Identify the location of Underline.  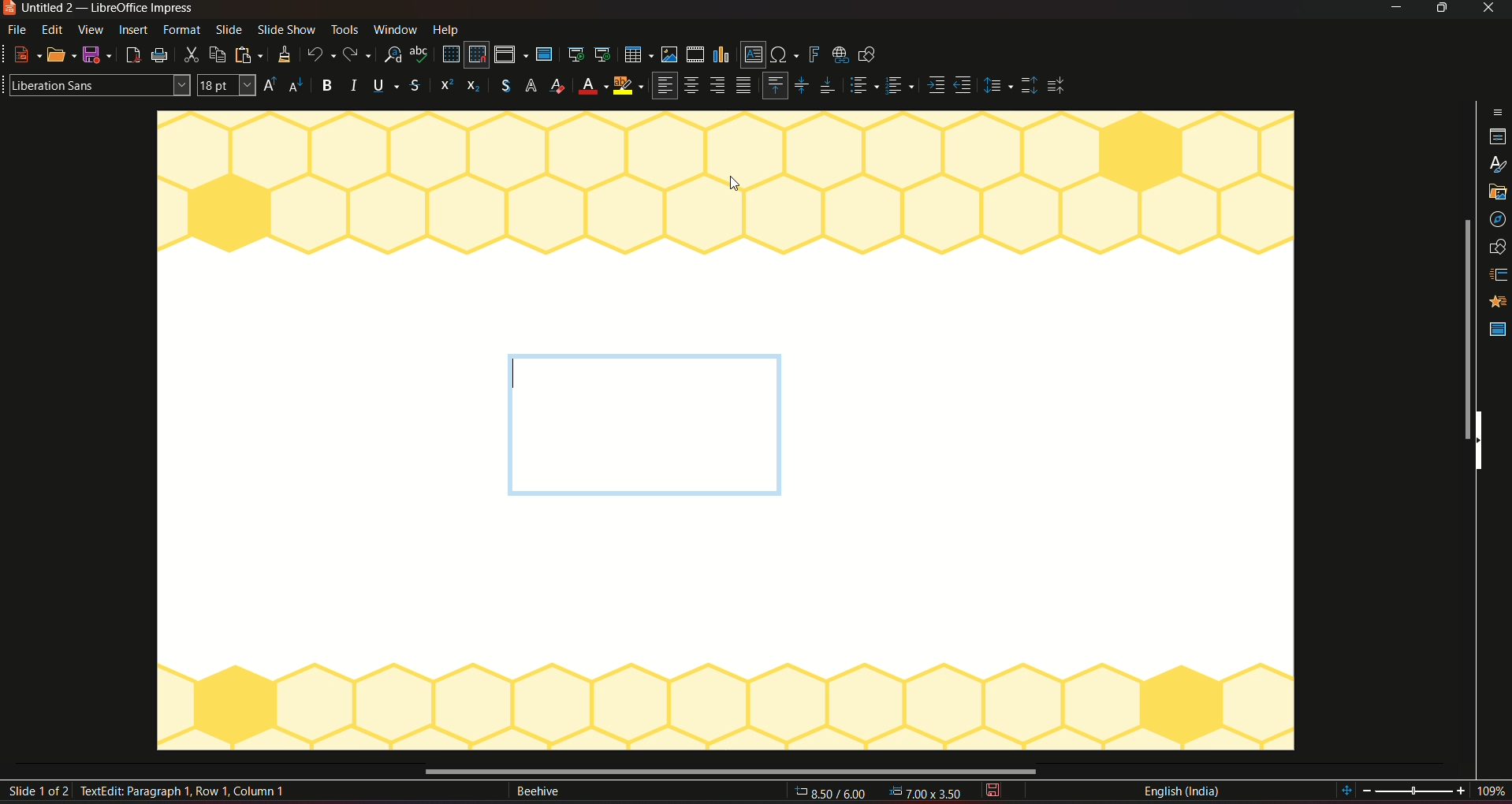
(386, 84).